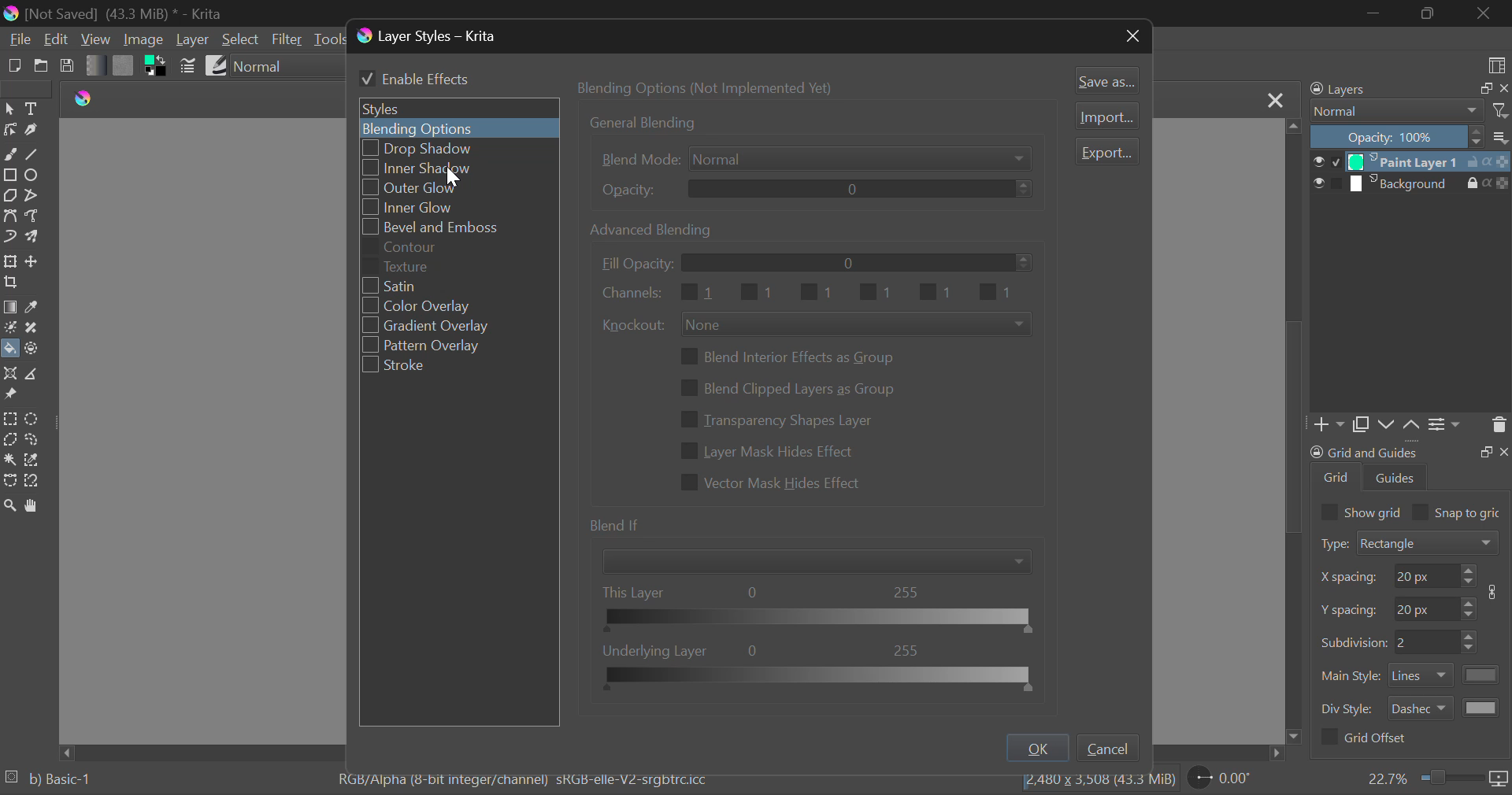 Image resolution: width=1512 pixels, height=795 pixels. Describe the element at coordinates (435, 36) in the screenshot. I see `Window Title` at that location.